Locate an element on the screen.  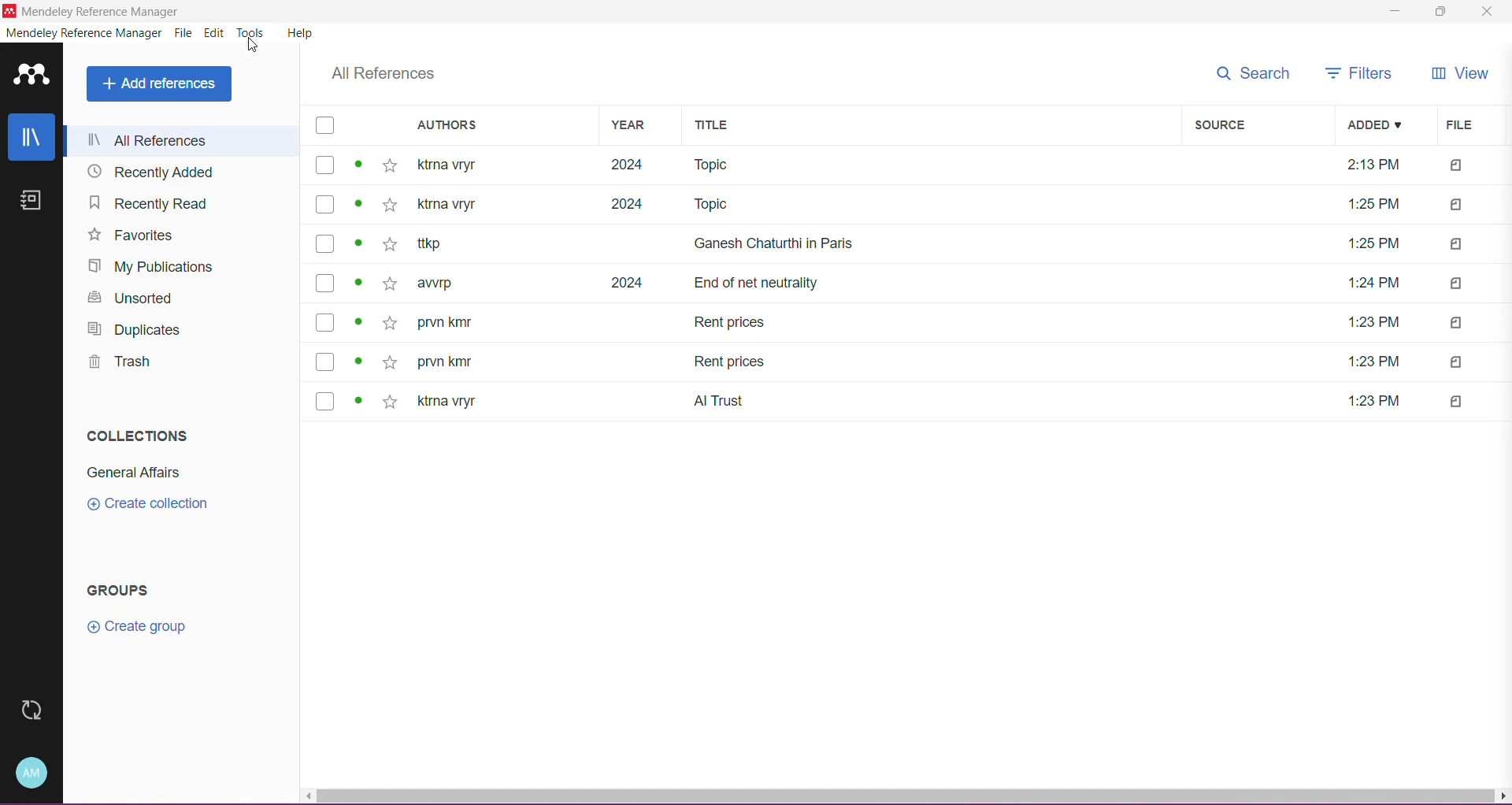
Recently Read is located at coordinates (156, 206).